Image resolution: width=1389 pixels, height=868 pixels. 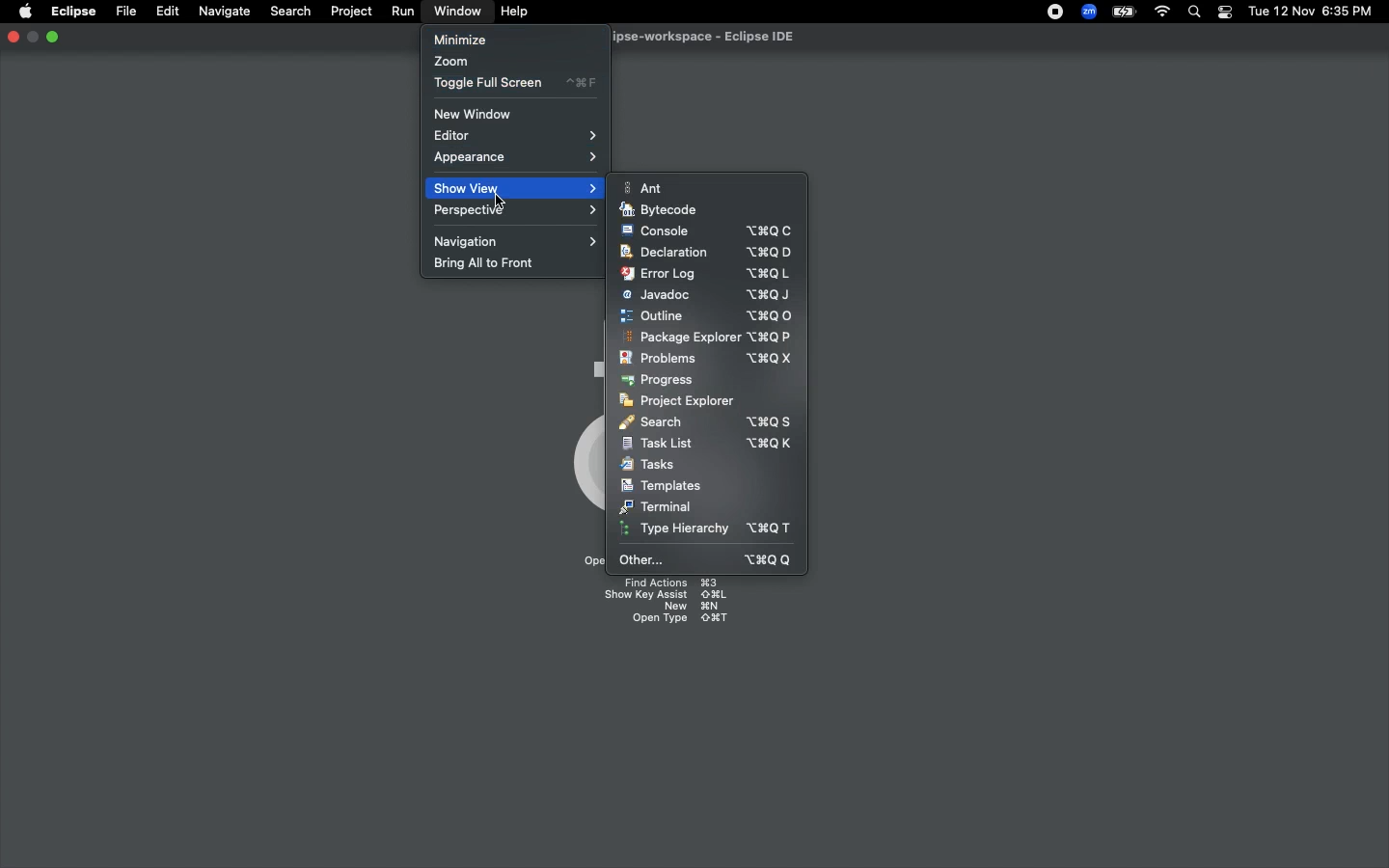 I want to click on Ant, so click(x=647, y=187).